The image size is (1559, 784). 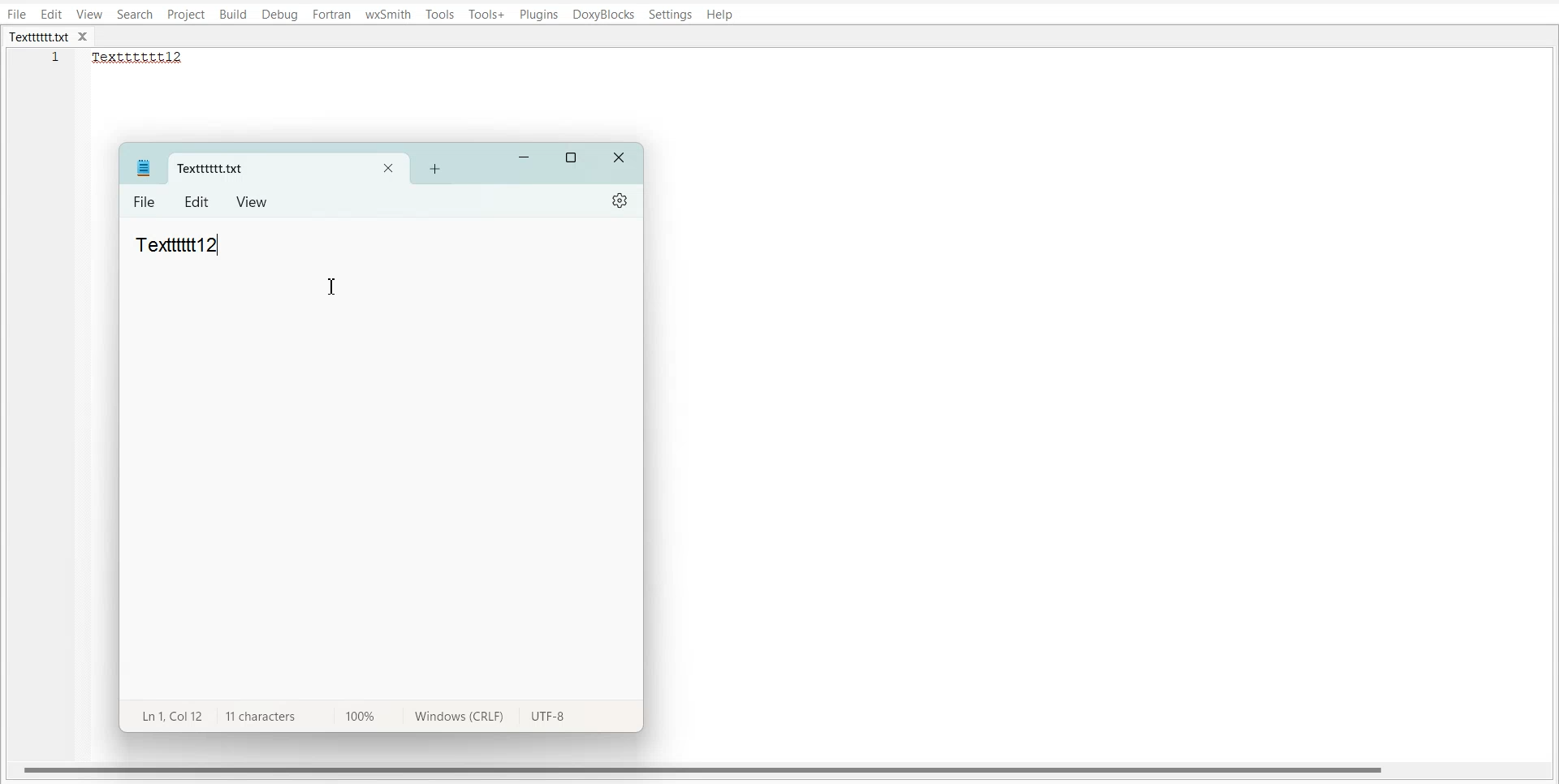 What do you see at coordinates (168, 715) in the screenshot?
I see `Ln1, Col 12` at bounding box center [168, 715].